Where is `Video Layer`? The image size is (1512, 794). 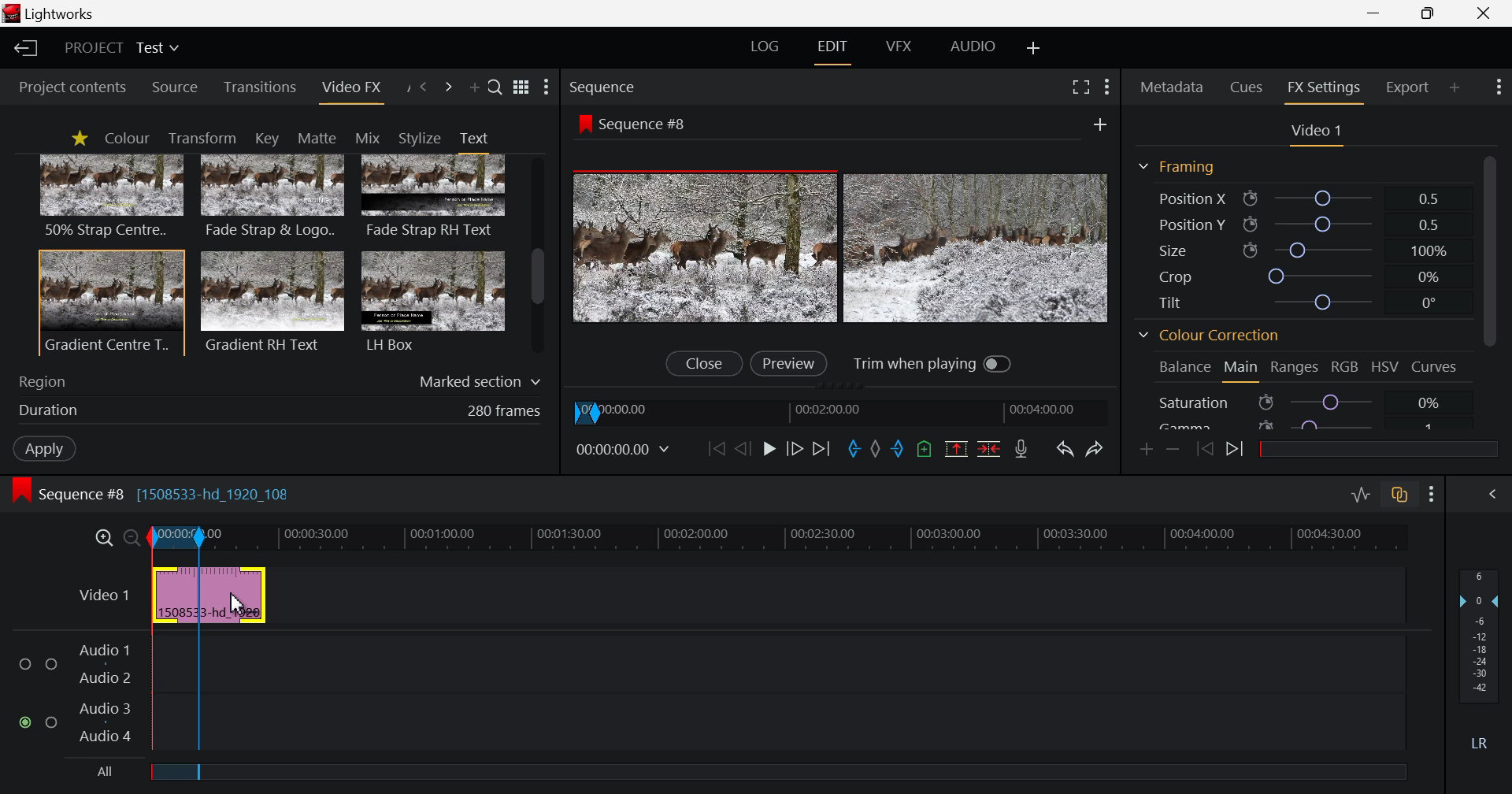
Video Layer is located at coordinates (102, 592).